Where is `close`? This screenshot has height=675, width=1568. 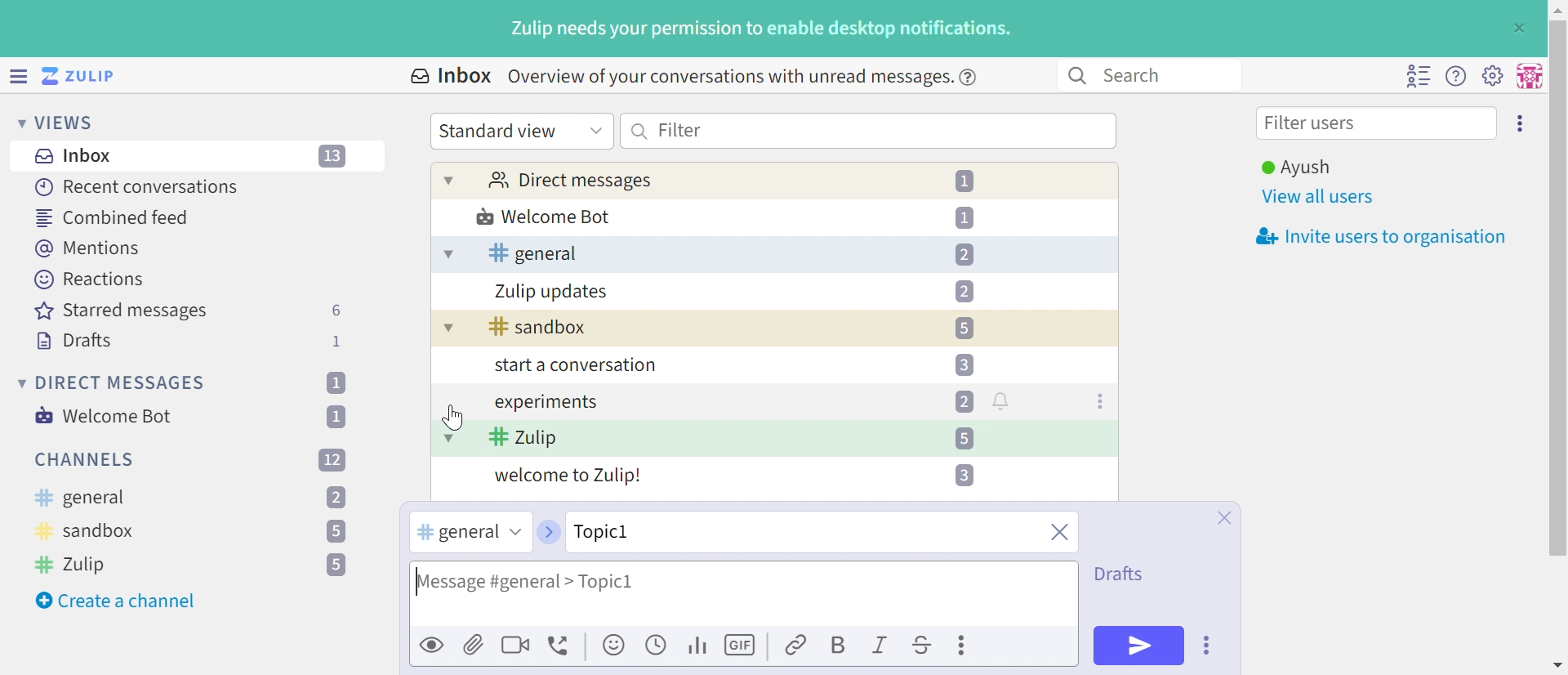 close is located at coordinates (1058, 534).